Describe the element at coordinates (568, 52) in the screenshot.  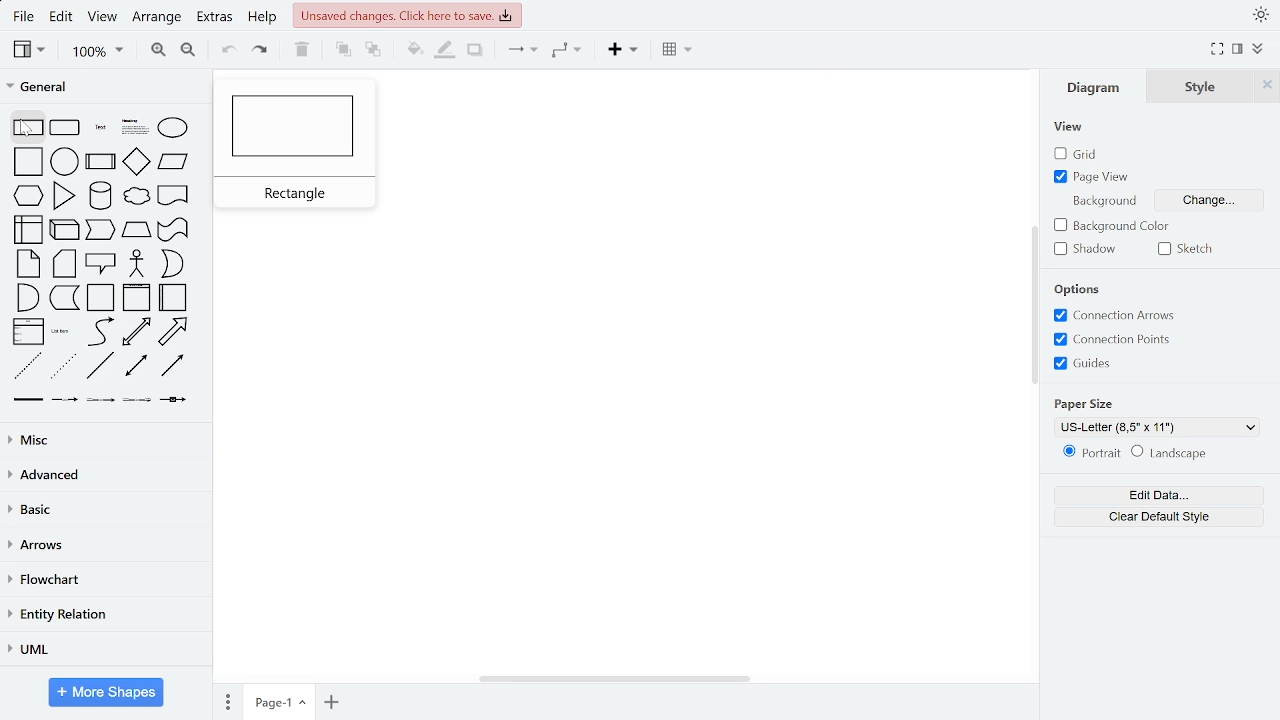
I see `waypoints` at that location.